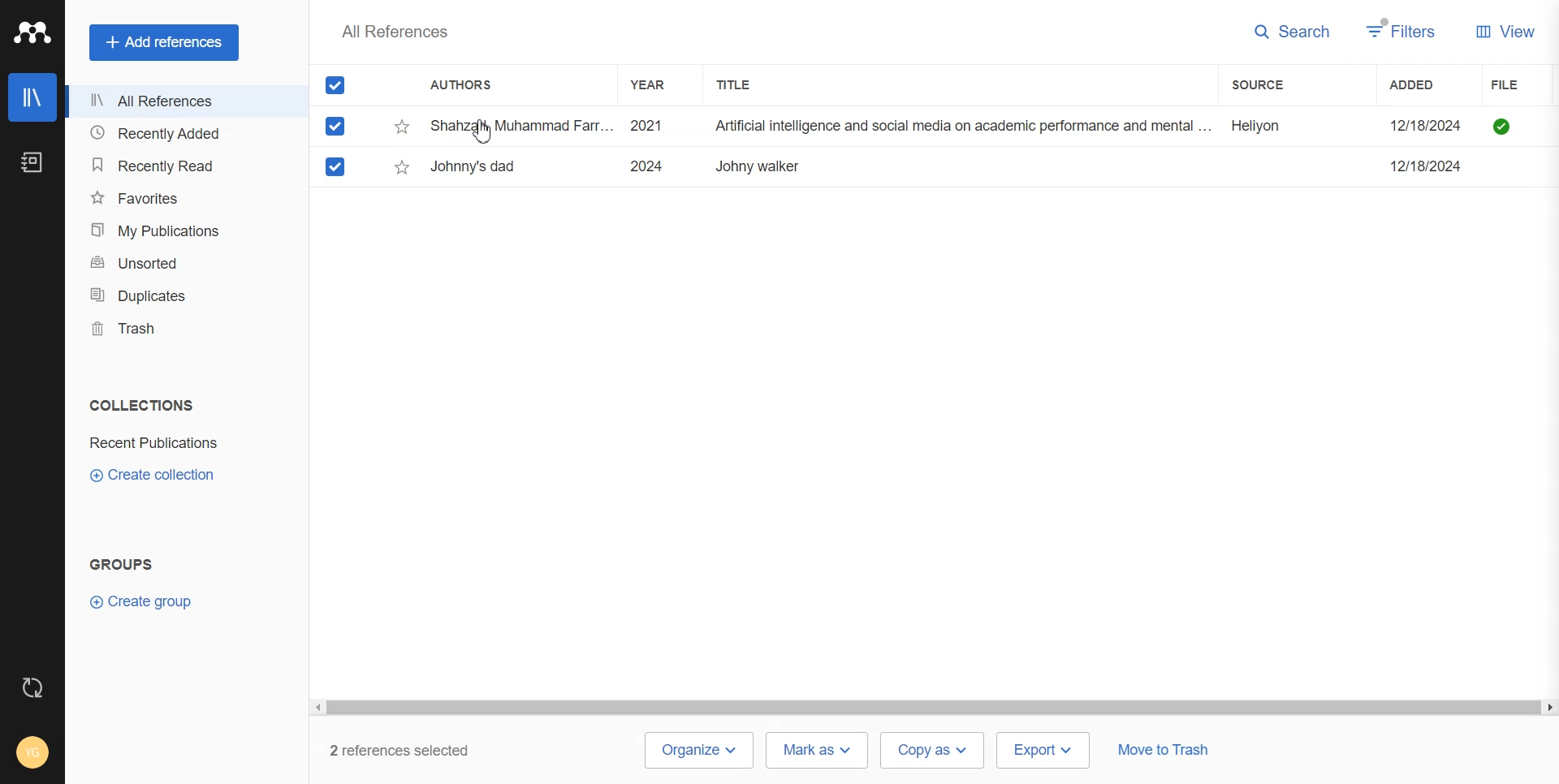 Image resolution: width=1559 pixels, height=784 pixels. Describe the element at coordinates (817, 749) in the screenshot. I see `Mark as` at that location.